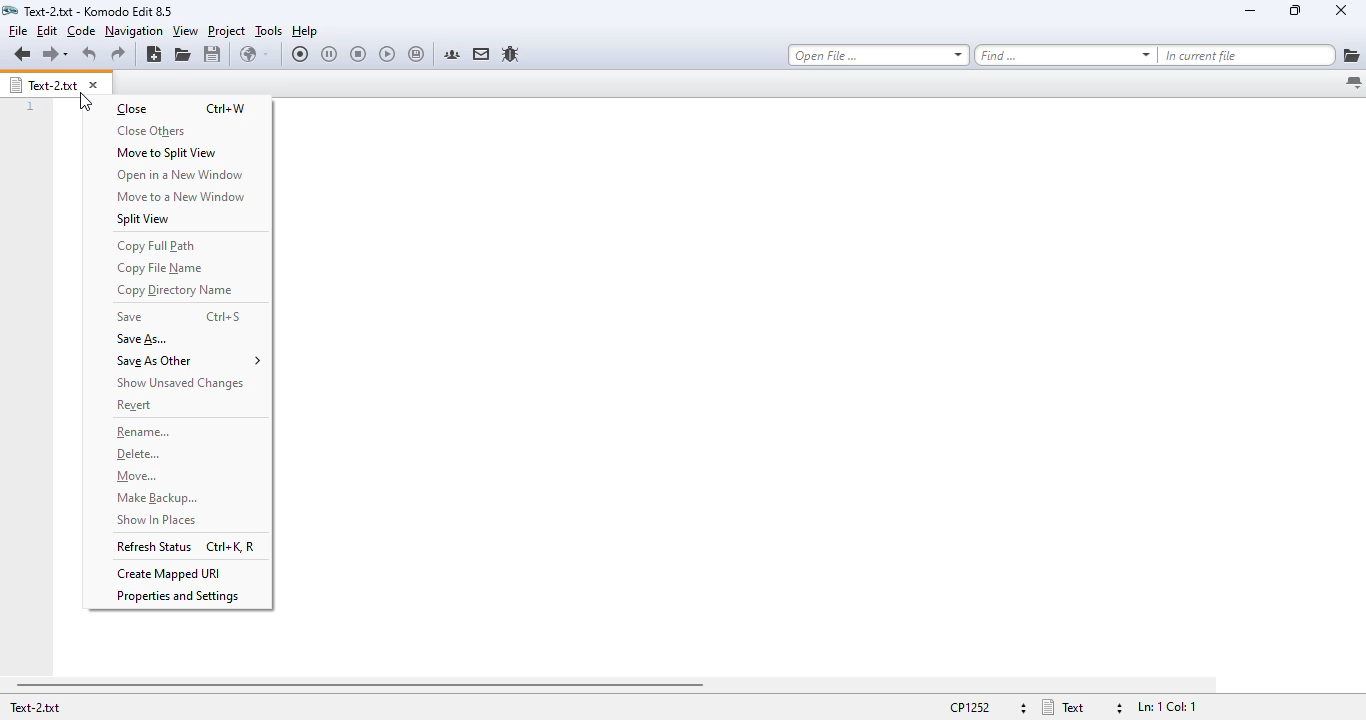 The width and height of the screenshot is (1366, 720). Describe the element at coordinates (228, 108) in the screenshot. I see `shortcut for close` at that location.